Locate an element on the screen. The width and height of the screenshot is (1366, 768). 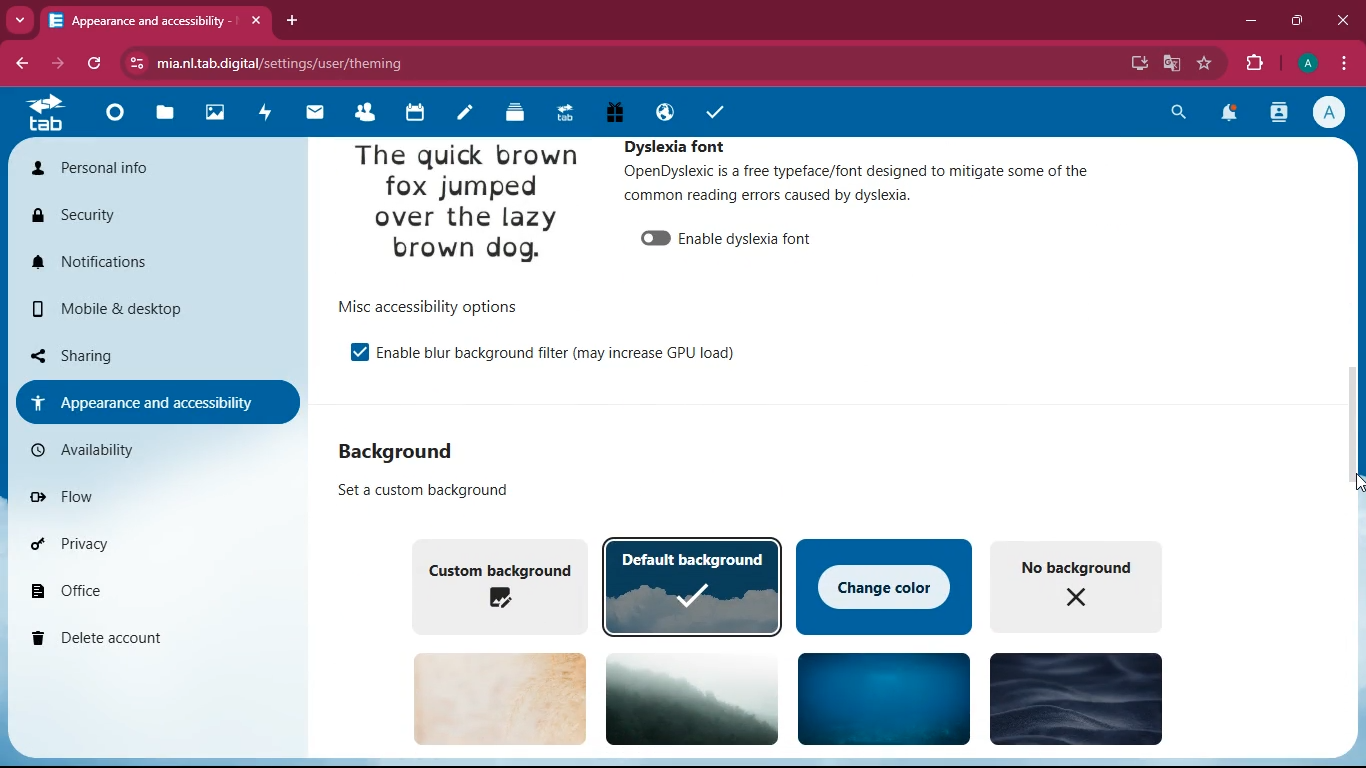
url is located at coordinates (266, 60).